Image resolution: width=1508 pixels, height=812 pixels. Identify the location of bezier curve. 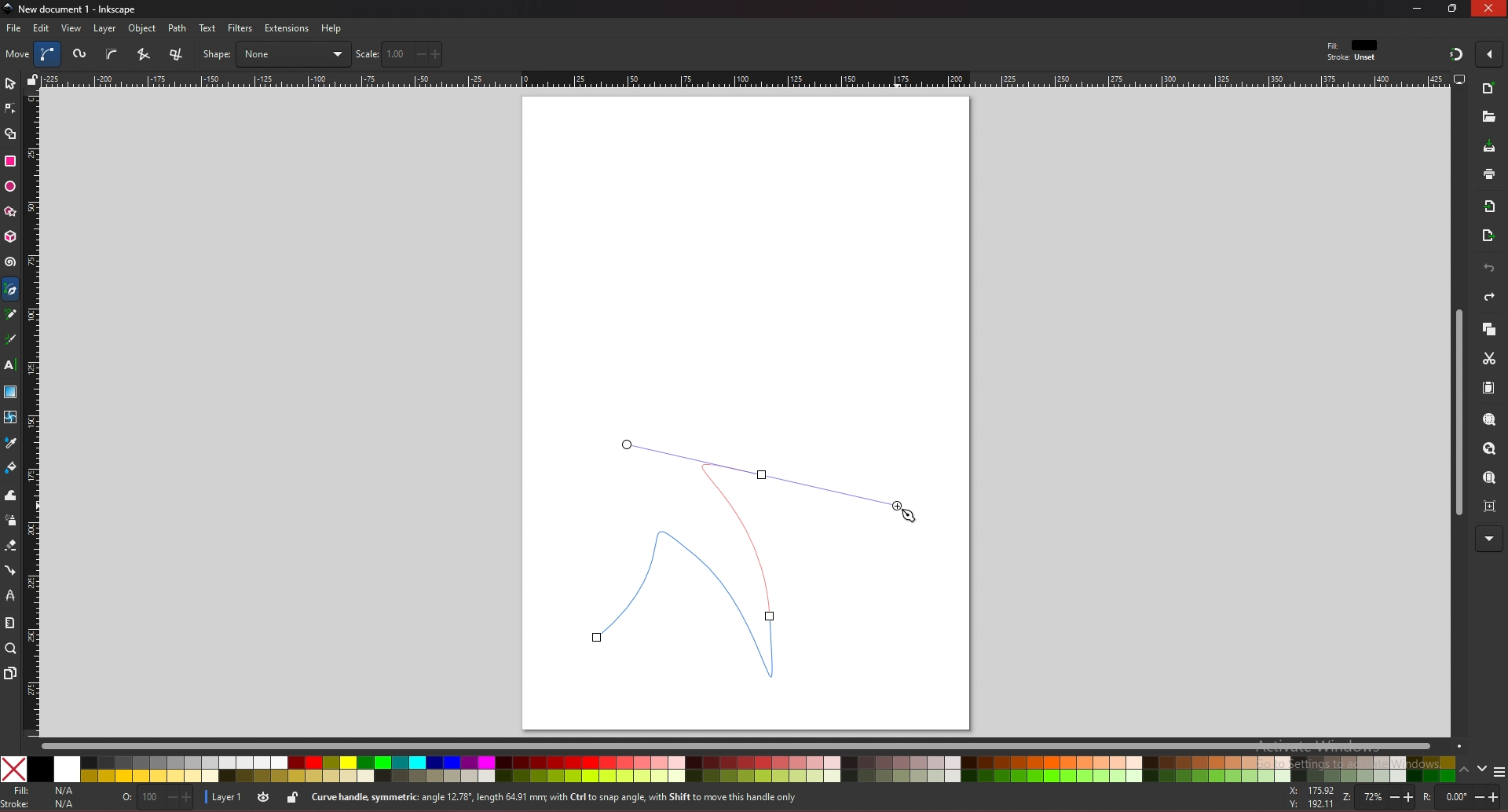
(49, 54).